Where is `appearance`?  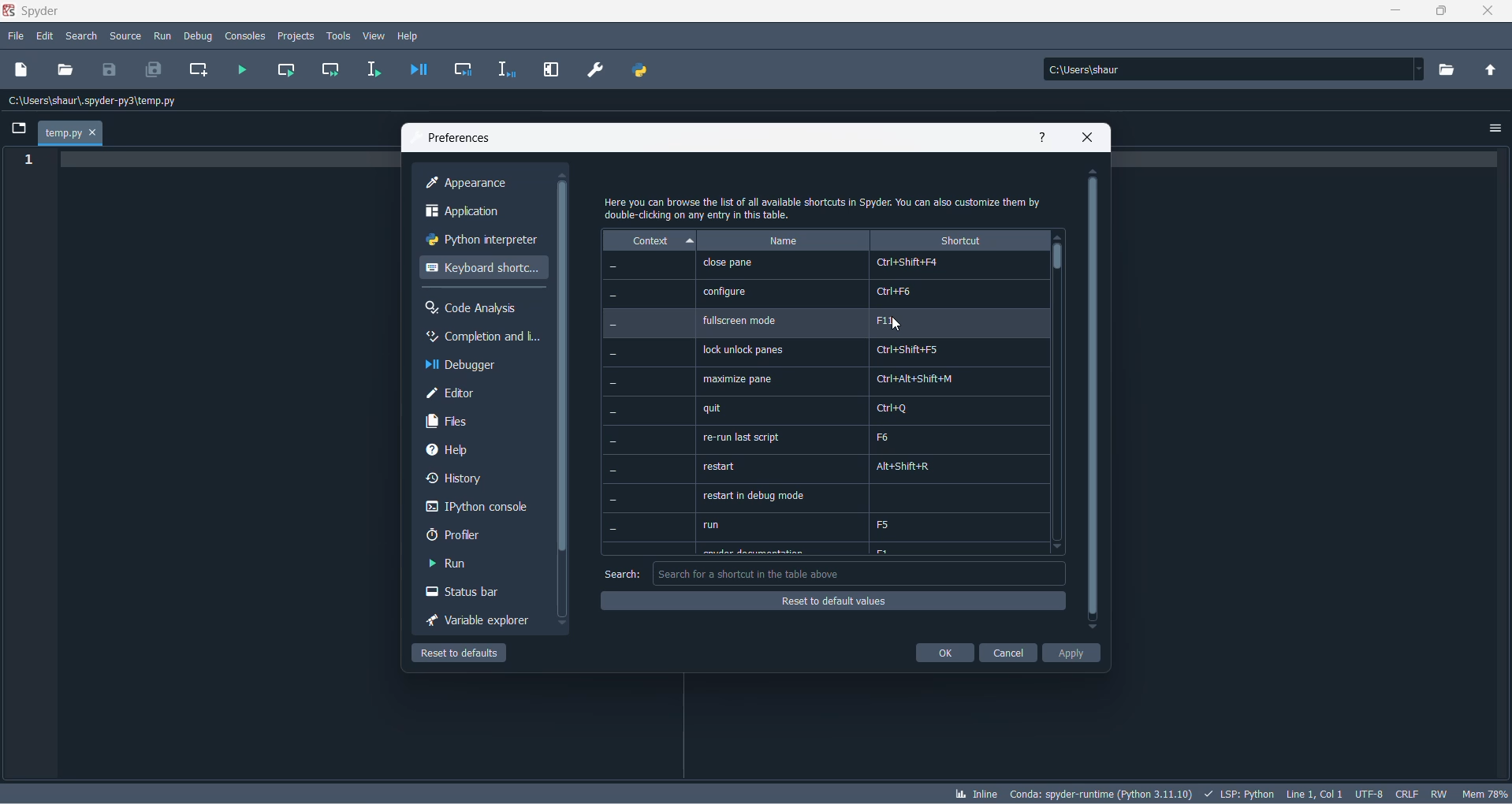
appearance is located at coordinates (486, 184).